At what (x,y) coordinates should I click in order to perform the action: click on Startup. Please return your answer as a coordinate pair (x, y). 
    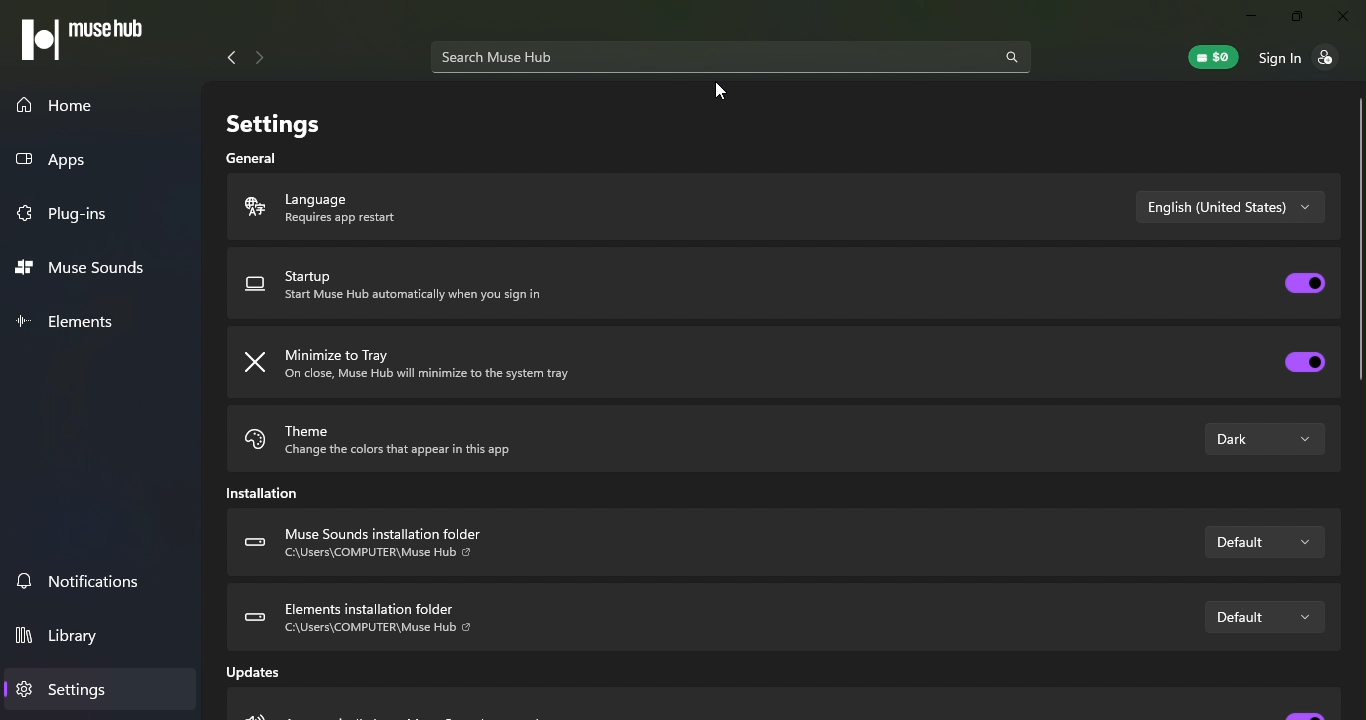
    Looking at the image, I should click on (423, 292).